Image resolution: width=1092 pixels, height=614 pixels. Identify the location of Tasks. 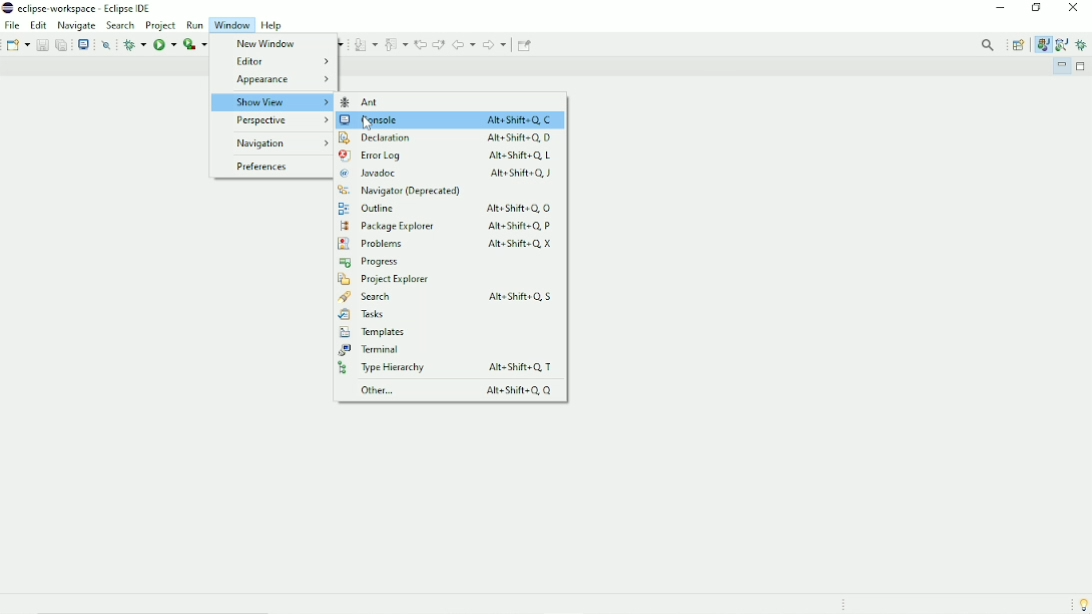
(362, 315).